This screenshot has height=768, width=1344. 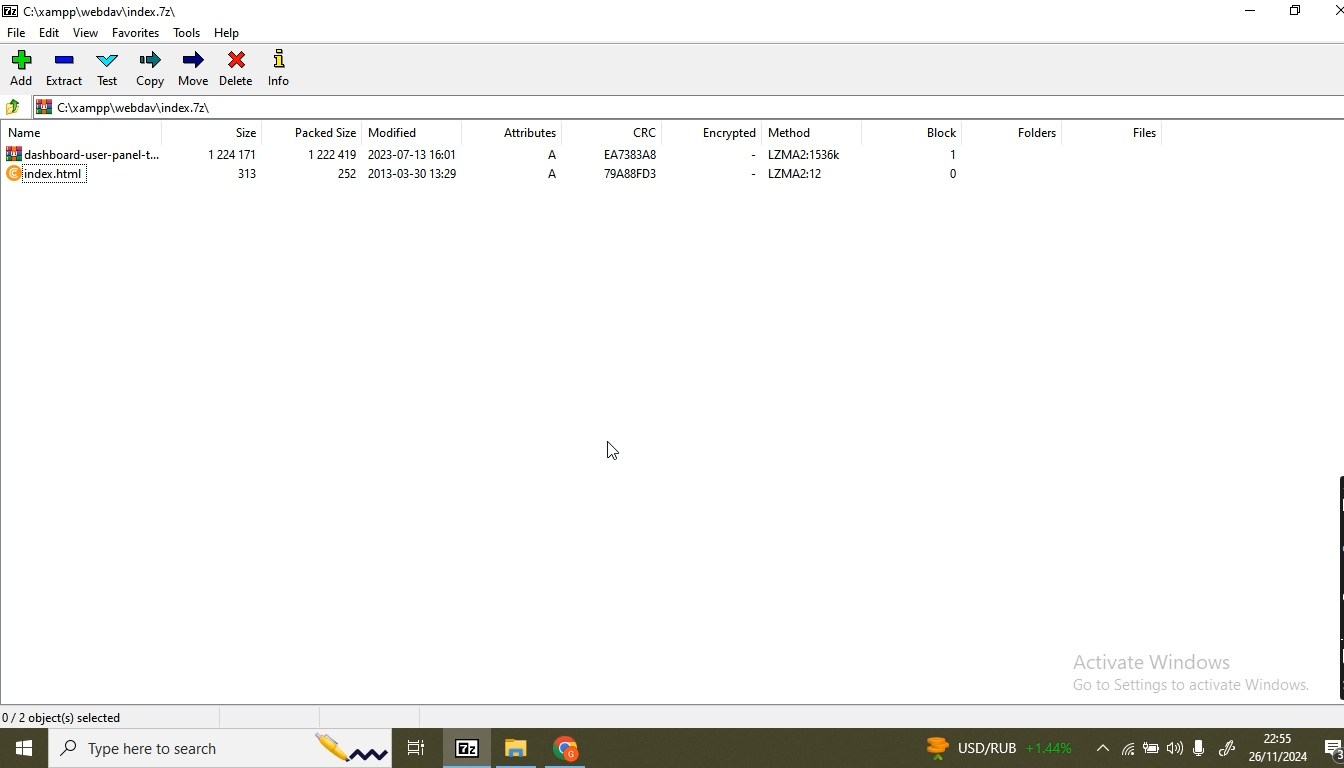 What do you see at coordinates (519, 749) in the screenshot?
I see `file browser` at bounding box center [519, 749].